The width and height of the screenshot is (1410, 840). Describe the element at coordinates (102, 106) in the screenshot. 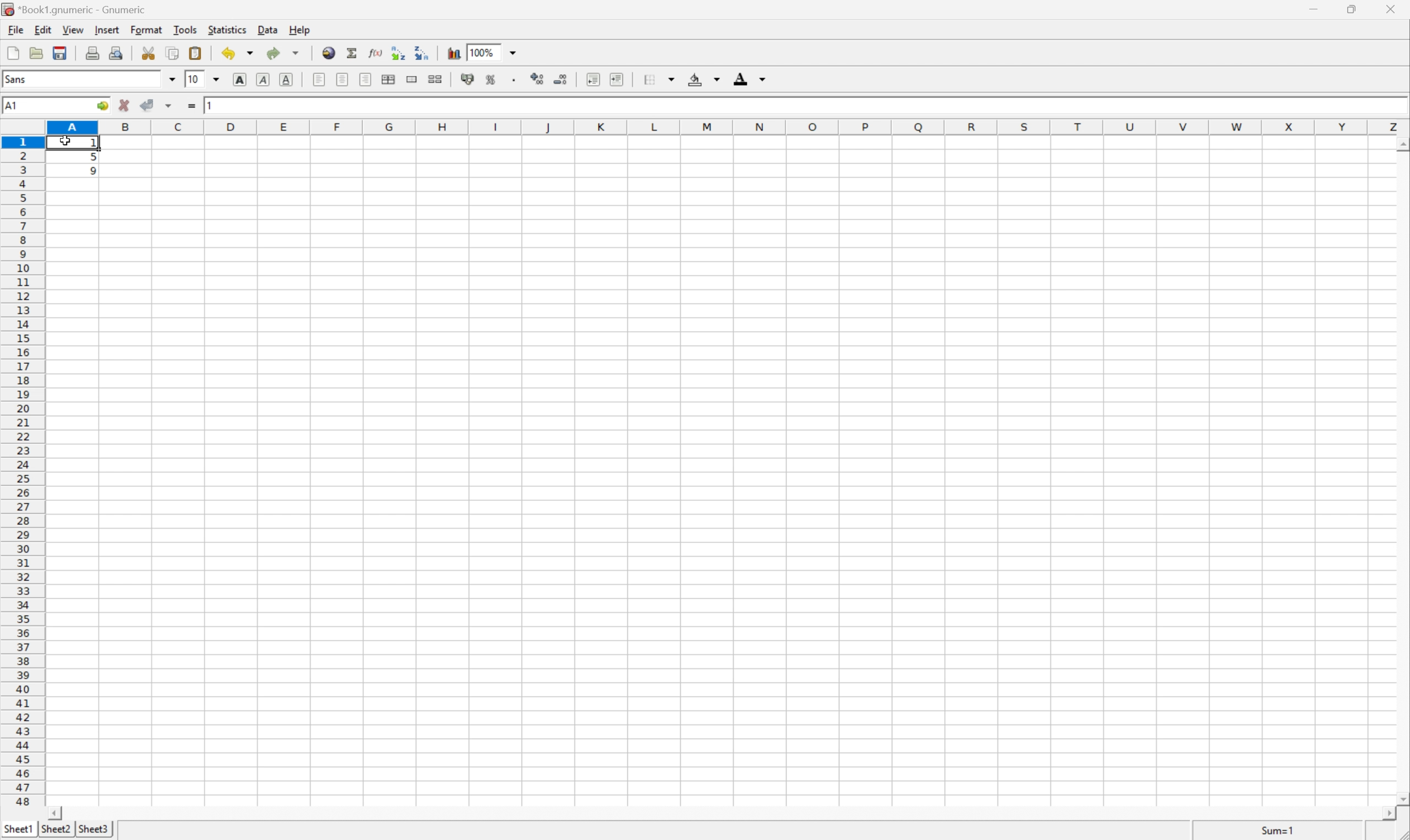

I see `go to` at that location.